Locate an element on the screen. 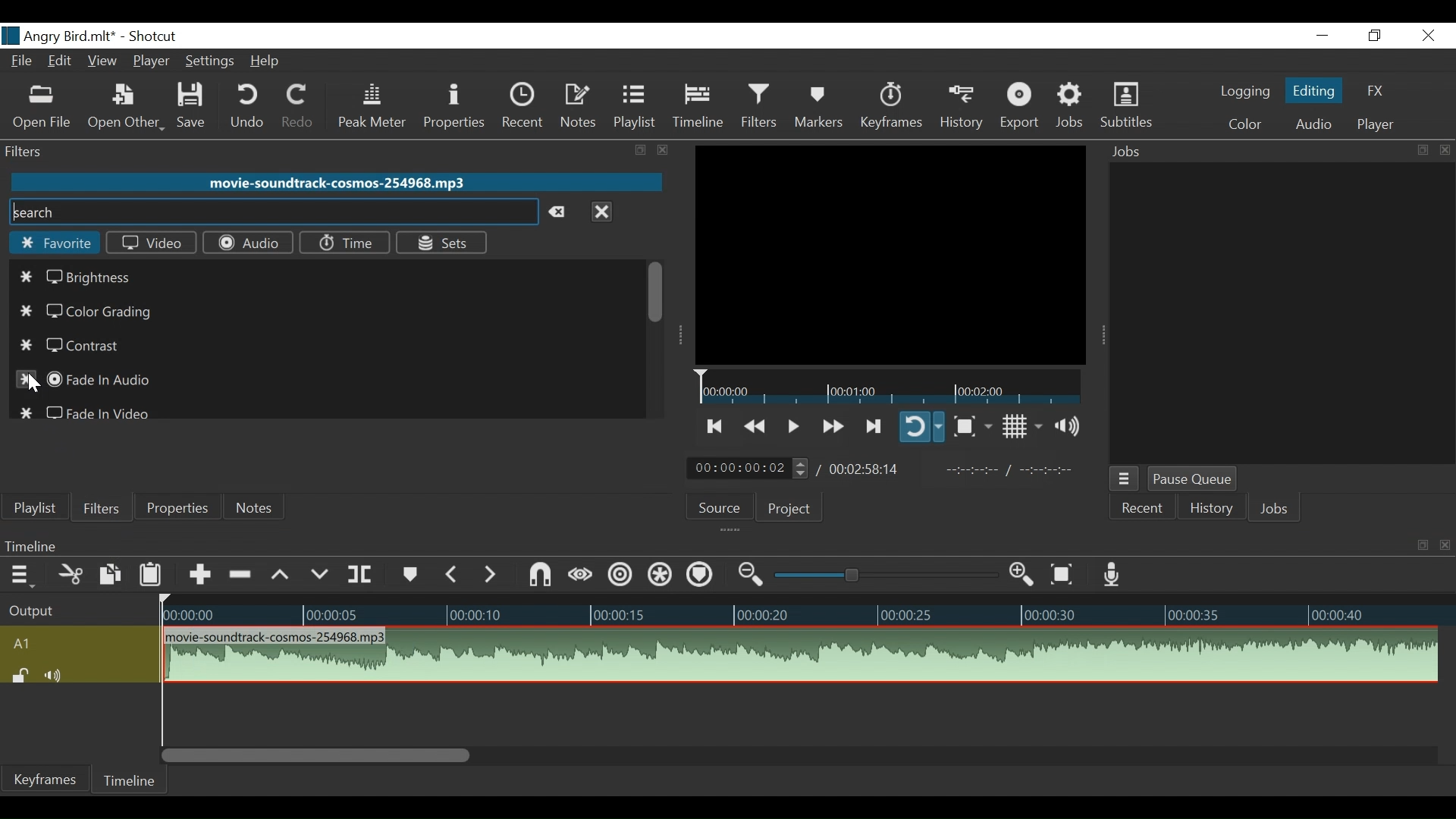 This screenshot has width=1456, height=819. Player is located at coordinates (149, 63).